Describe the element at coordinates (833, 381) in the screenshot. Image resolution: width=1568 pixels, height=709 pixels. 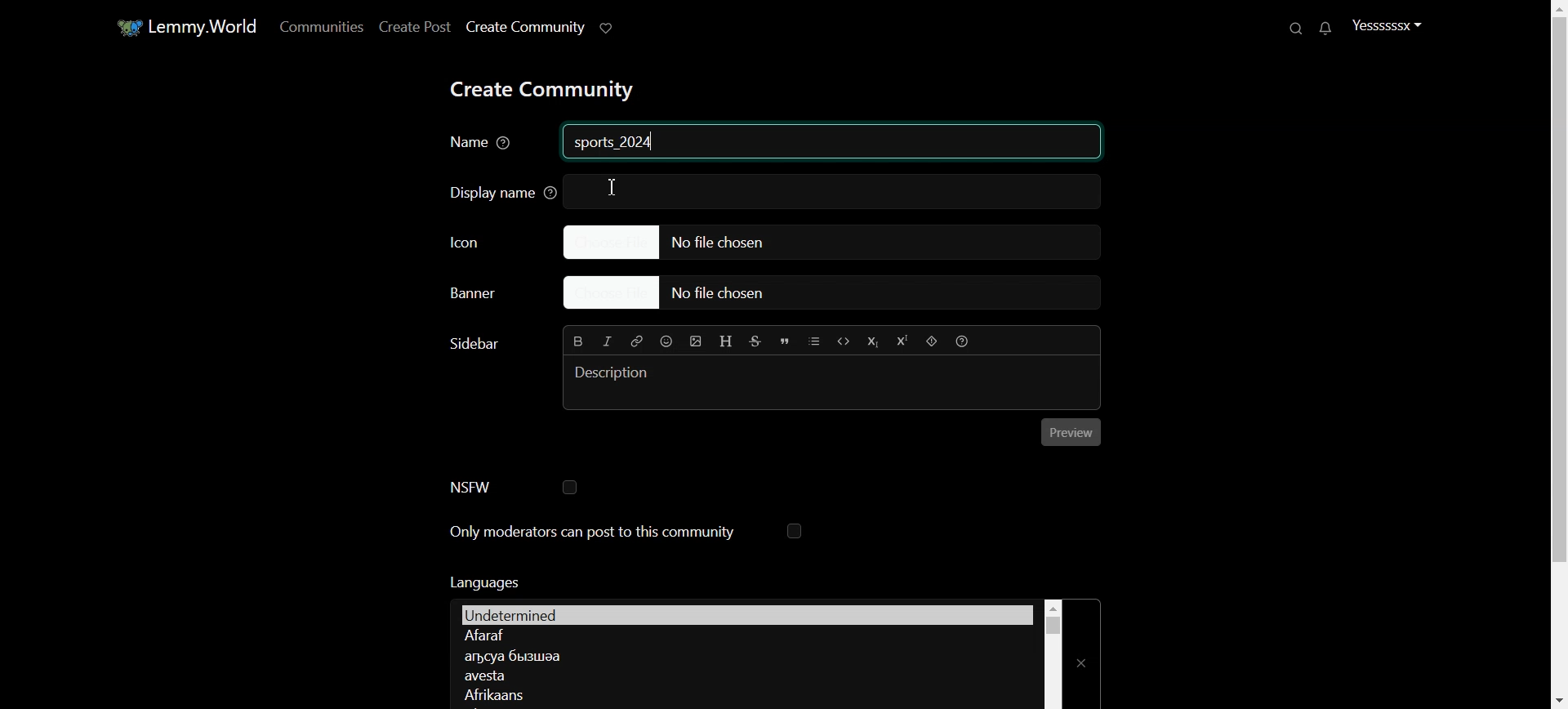
I see `Typing window` at that location.